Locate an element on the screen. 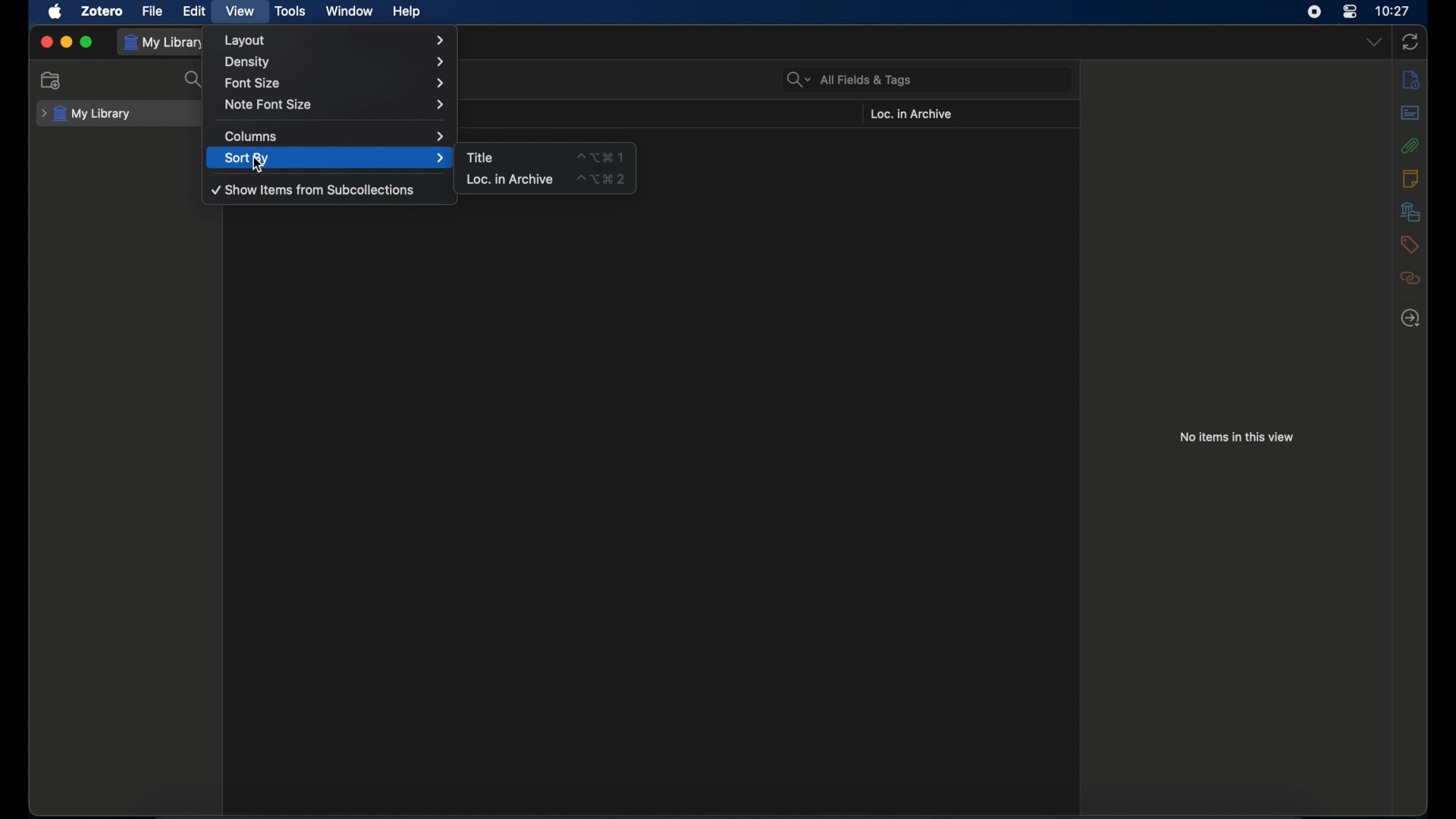 This screenshot has height=819, width=1456. shortcut is located at coordinates (601, 157).